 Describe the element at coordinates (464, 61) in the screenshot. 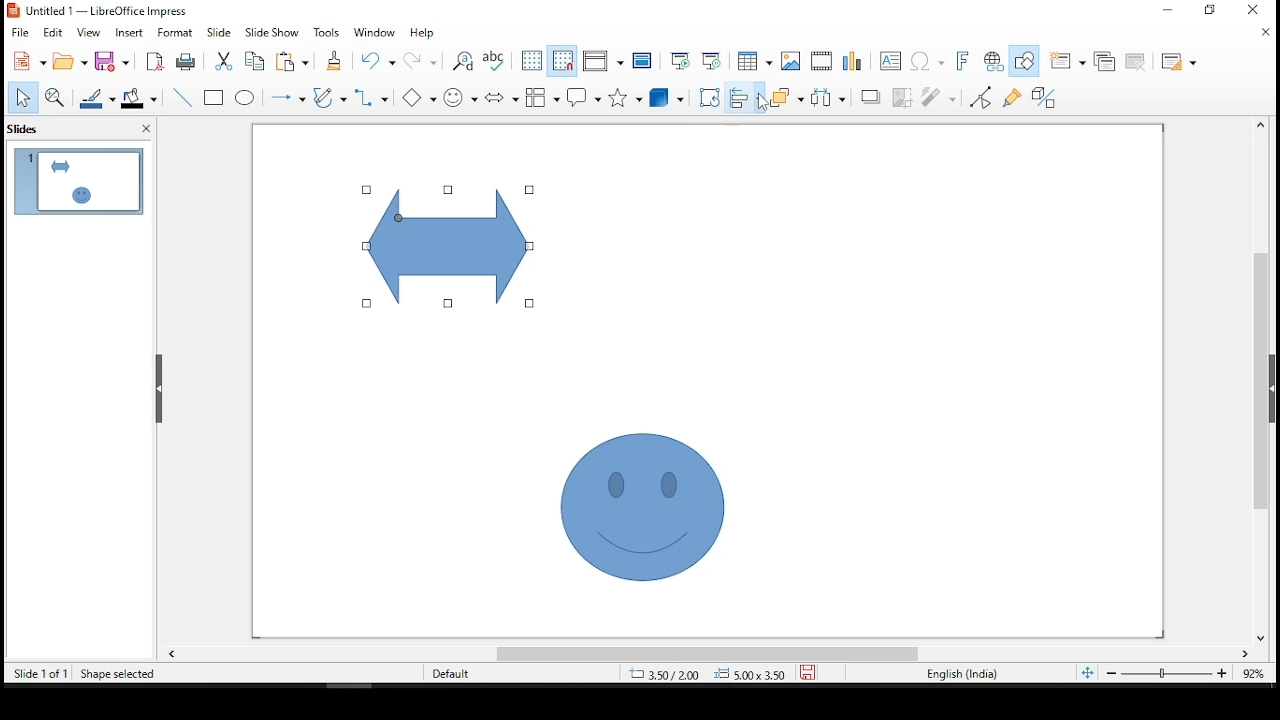

I see `find and replace` at that location.